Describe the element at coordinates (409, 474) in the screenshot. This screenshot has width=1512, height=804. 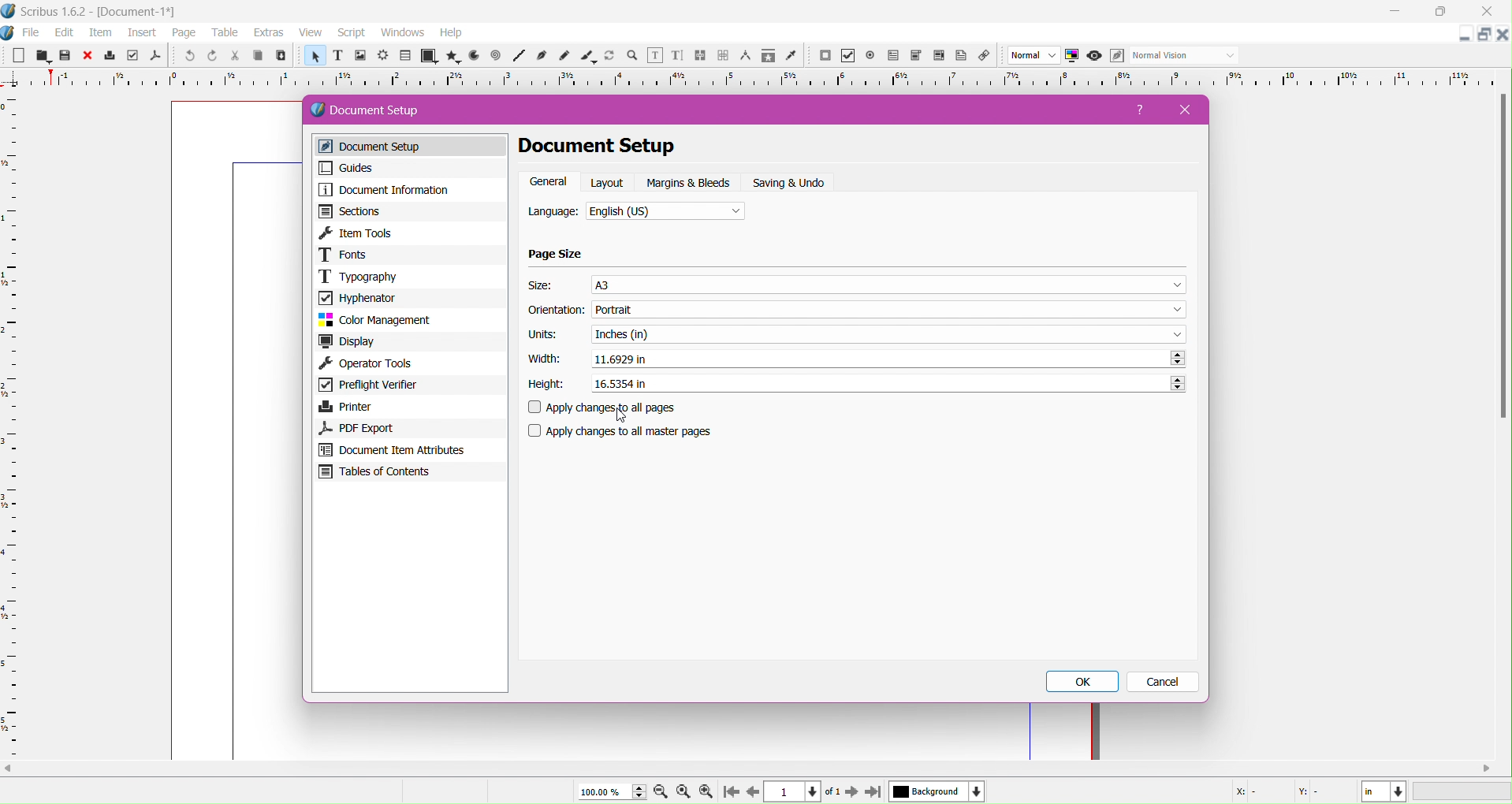
I see `Tables of Contents` at that location.